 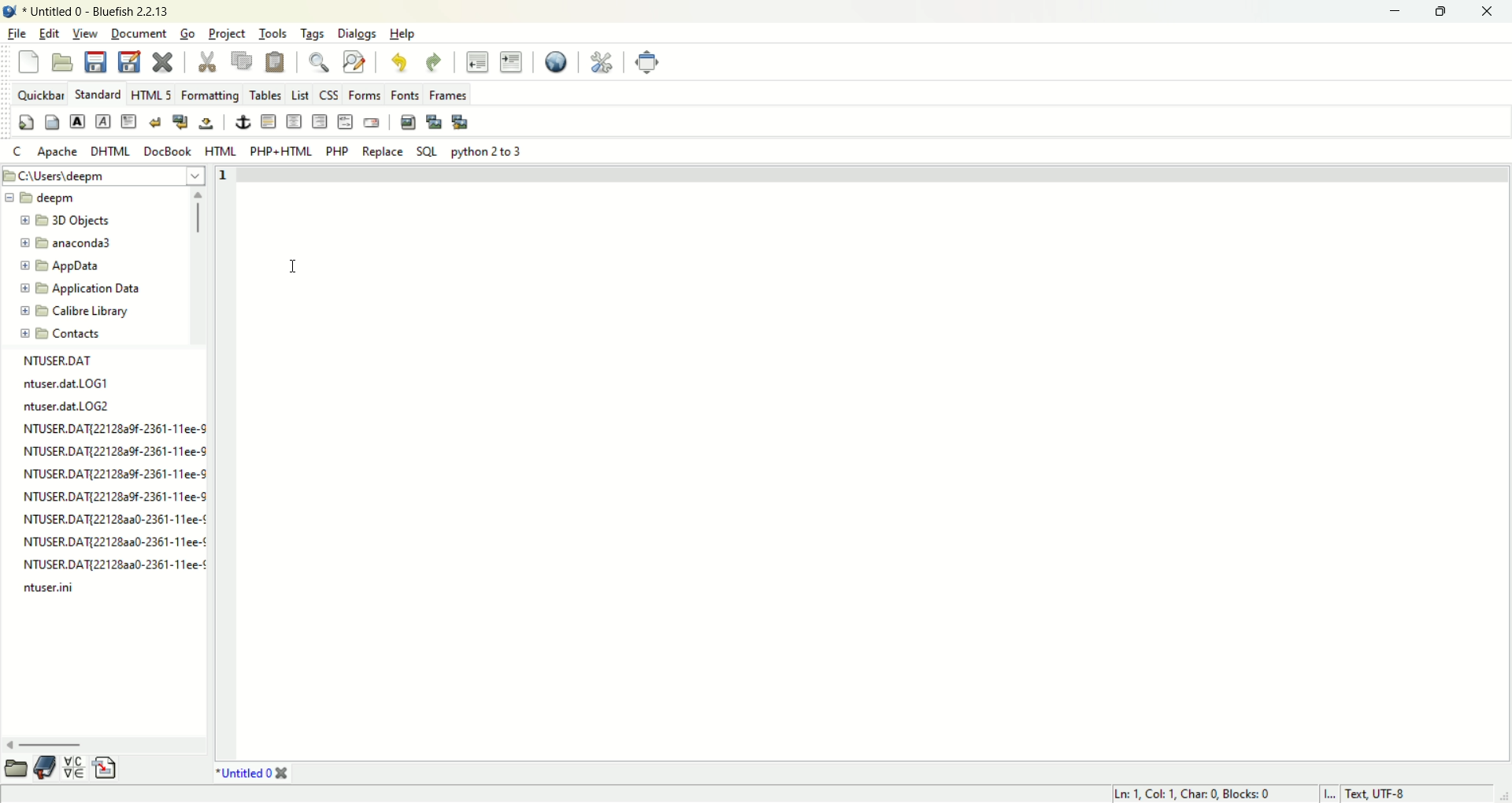 What do you see at coordinates (68, 388) in the screenshot?
I see `ntuser.dat.LOG1` at bounding box center [68, 388].